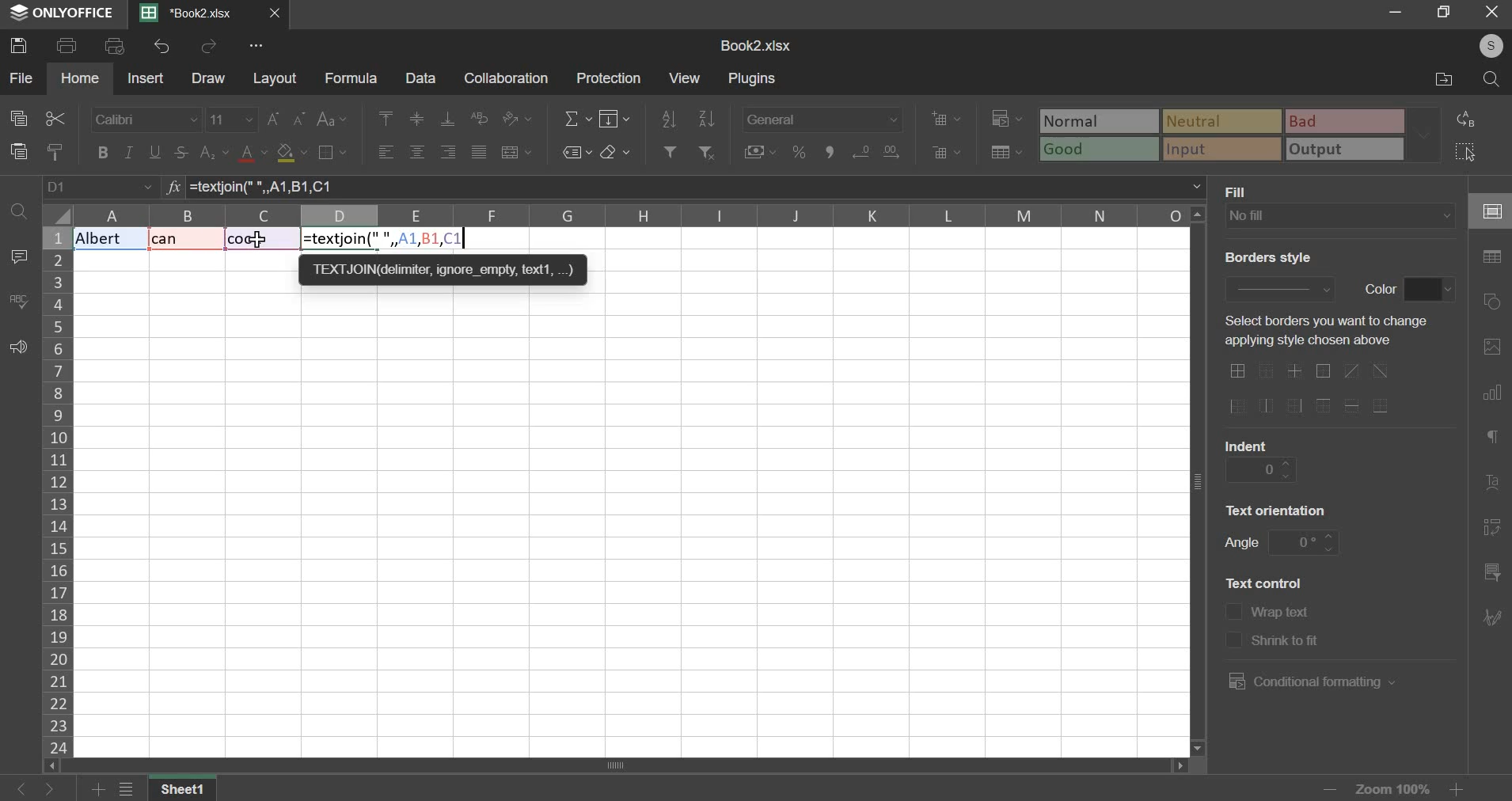  I want to click on add sheets, so click(98, 790).